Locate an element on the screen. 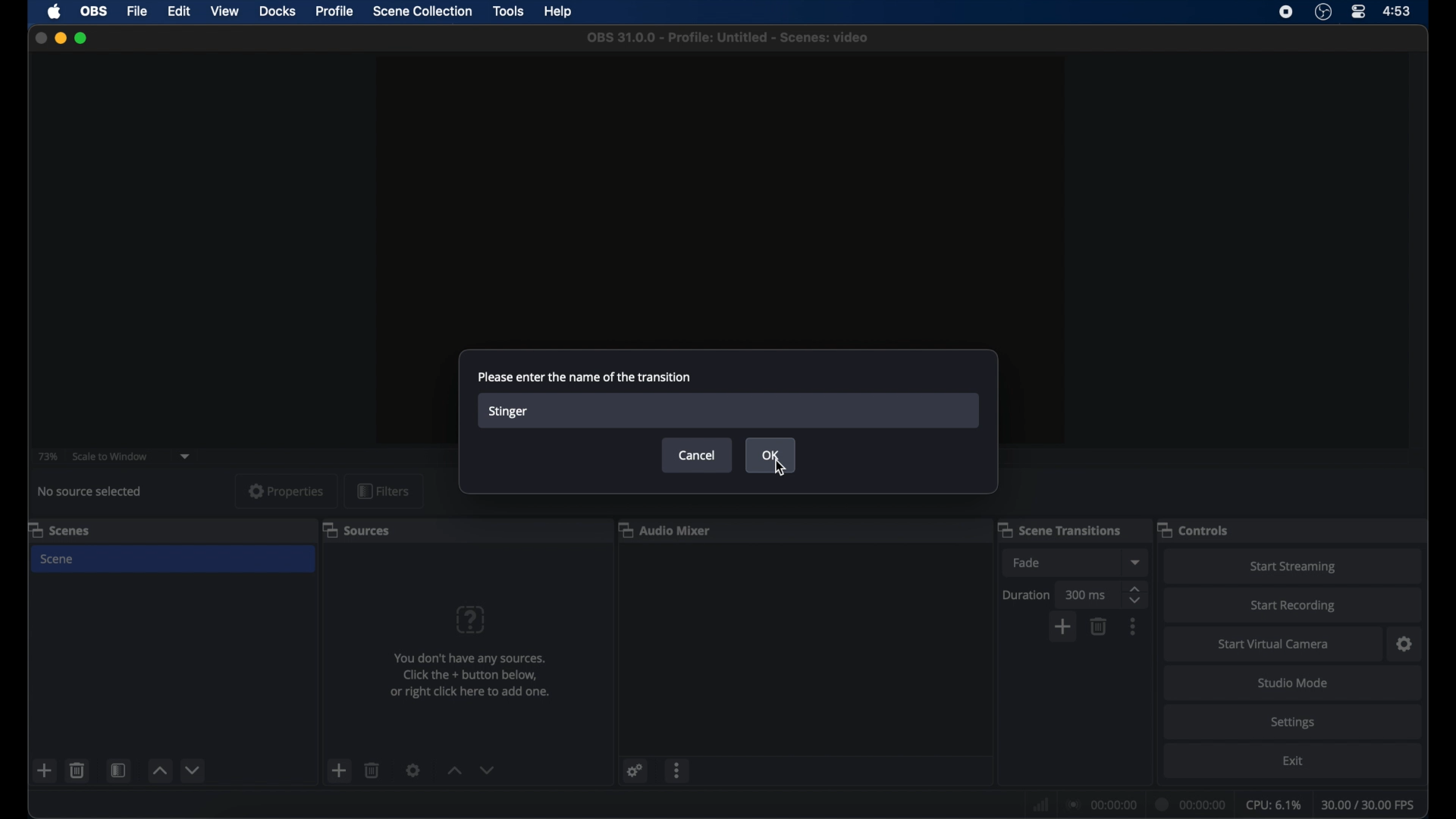  scene filters is located at coordinates (120, 770).